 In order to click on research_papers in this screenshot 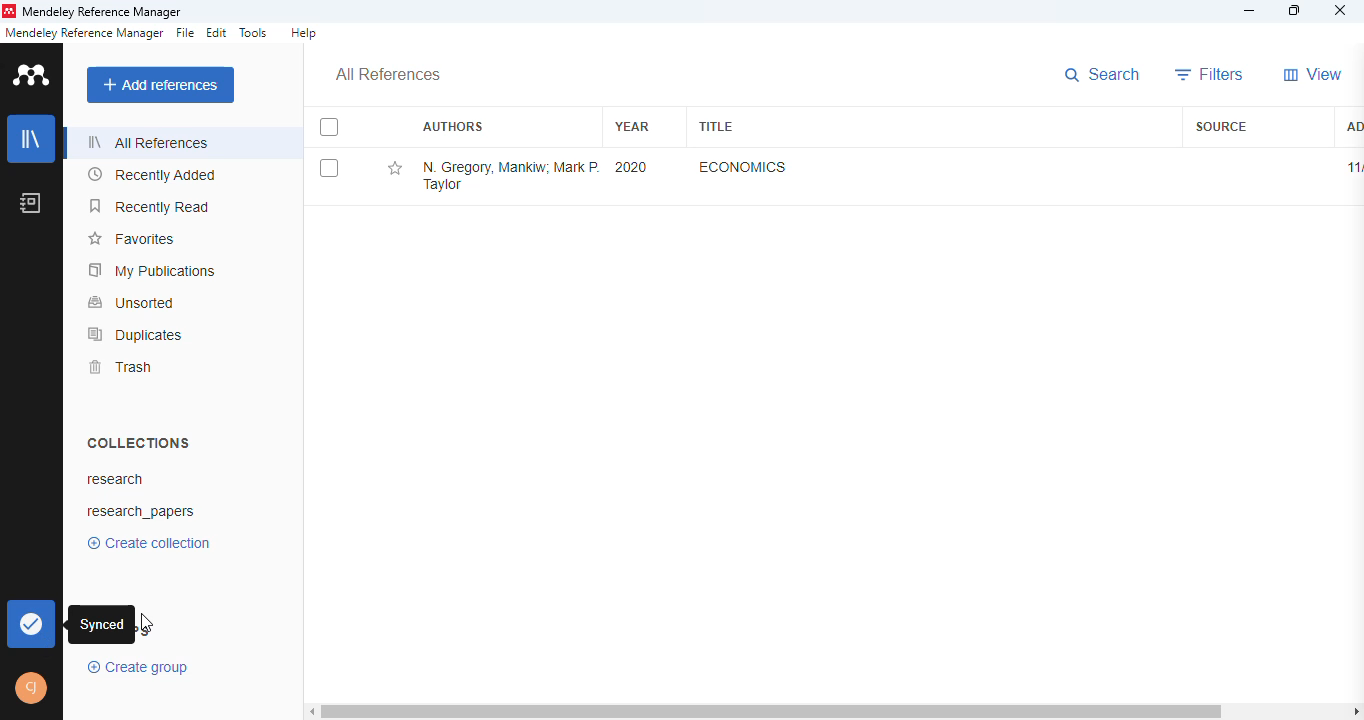, I will do `click(142, 512)`.